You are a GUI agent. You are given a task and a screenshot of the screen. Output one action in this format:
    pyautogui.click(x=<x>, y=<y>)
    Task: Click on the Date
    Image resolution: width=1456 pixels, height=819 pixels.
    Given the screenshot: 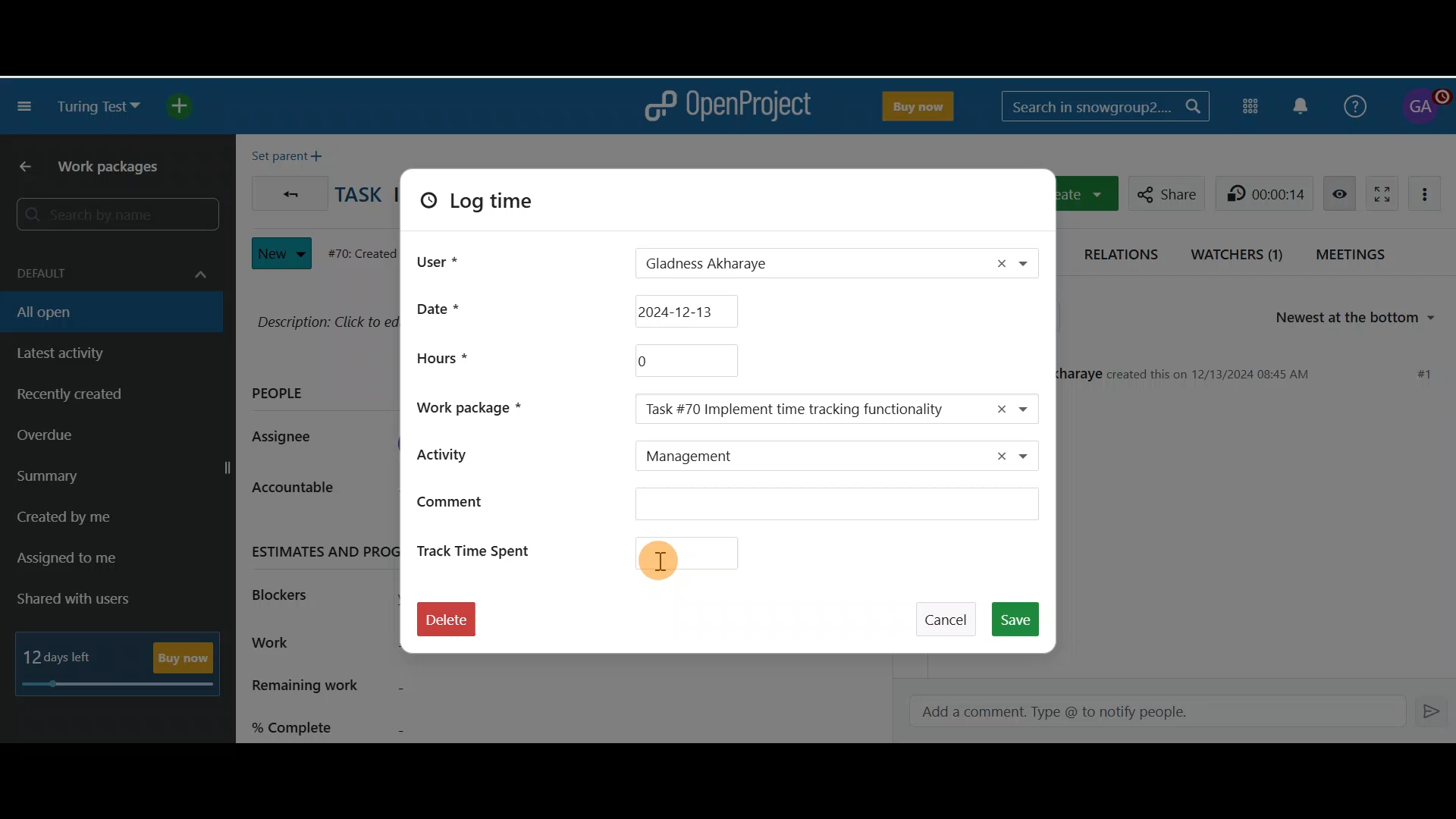 What is the action you would take?
    pyautogui.click(x=610, y=309)
    